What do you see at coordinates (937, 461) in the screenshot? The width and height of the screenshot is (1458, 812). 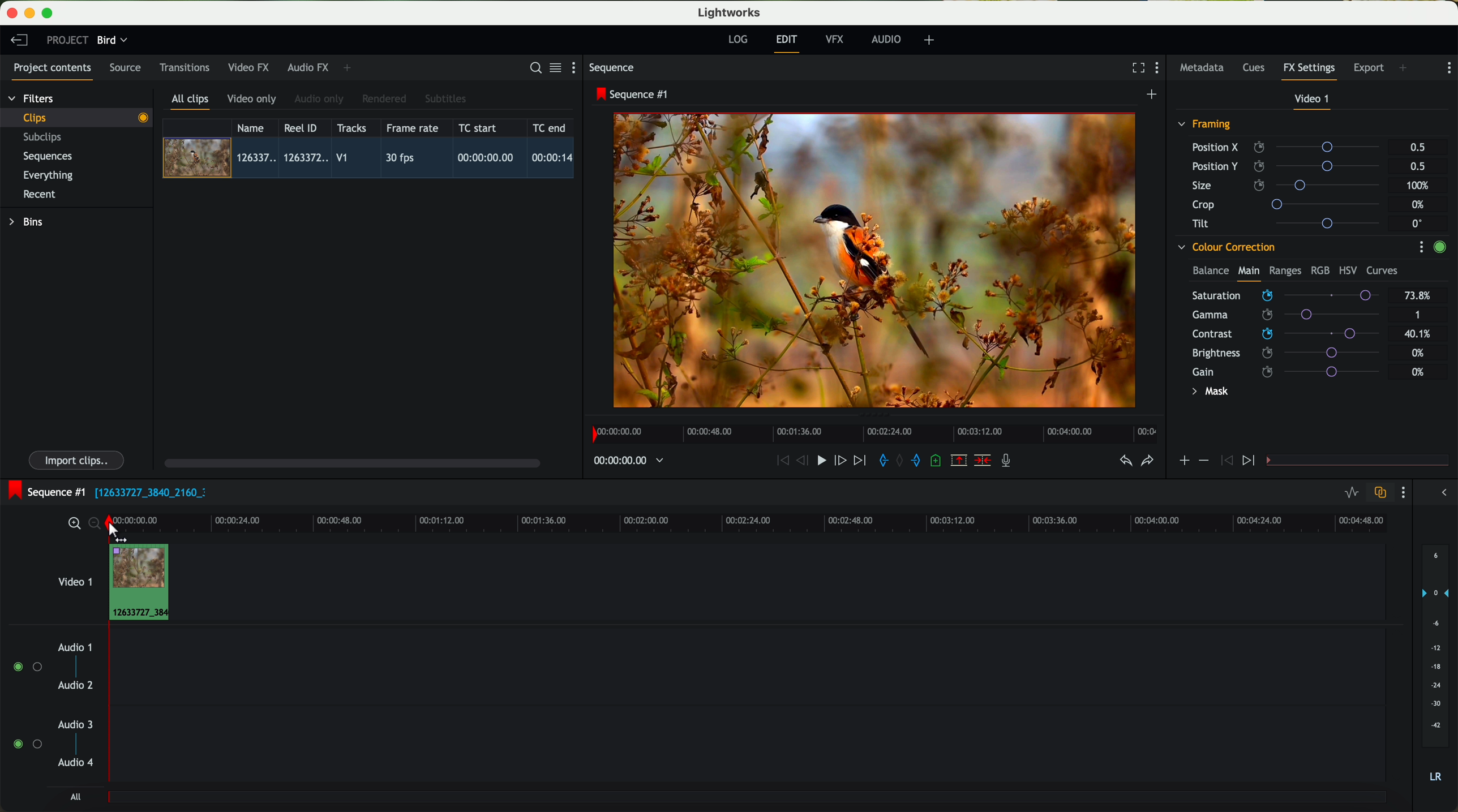 I see `add a cue at the current position` at bounding box center [937, 461].